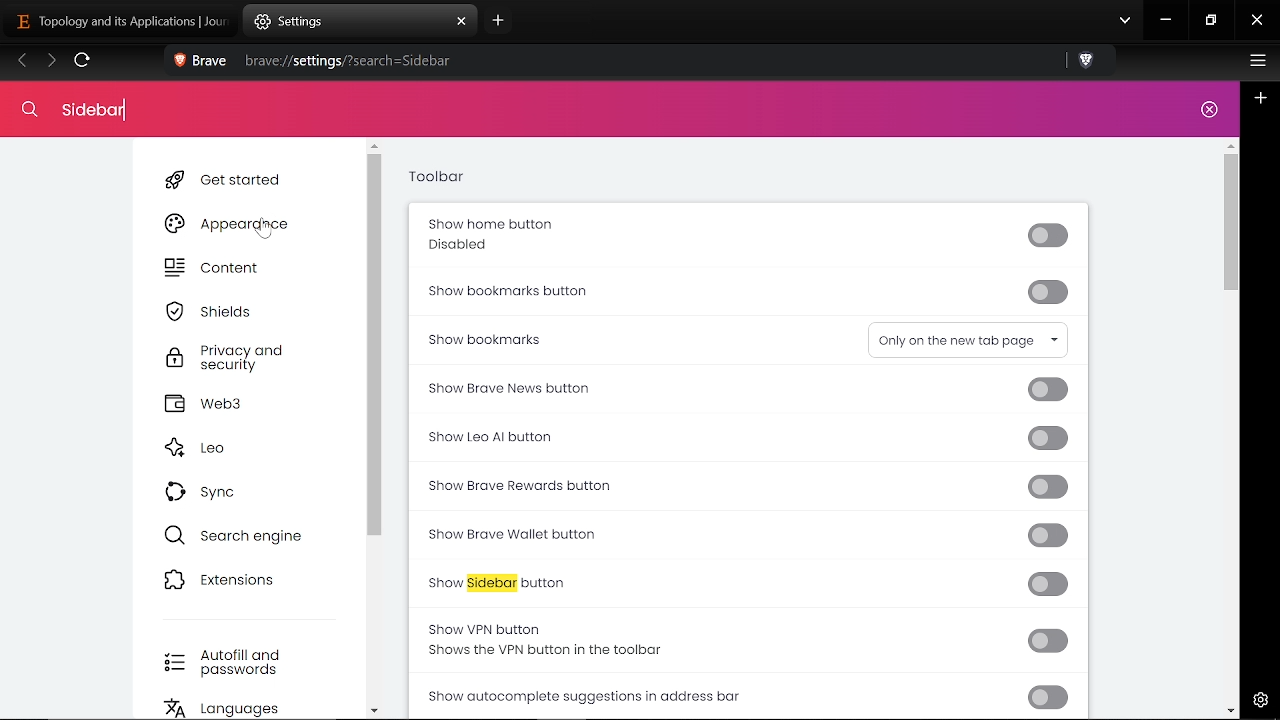  I want to click on Show VPN button, so click(751, 639).